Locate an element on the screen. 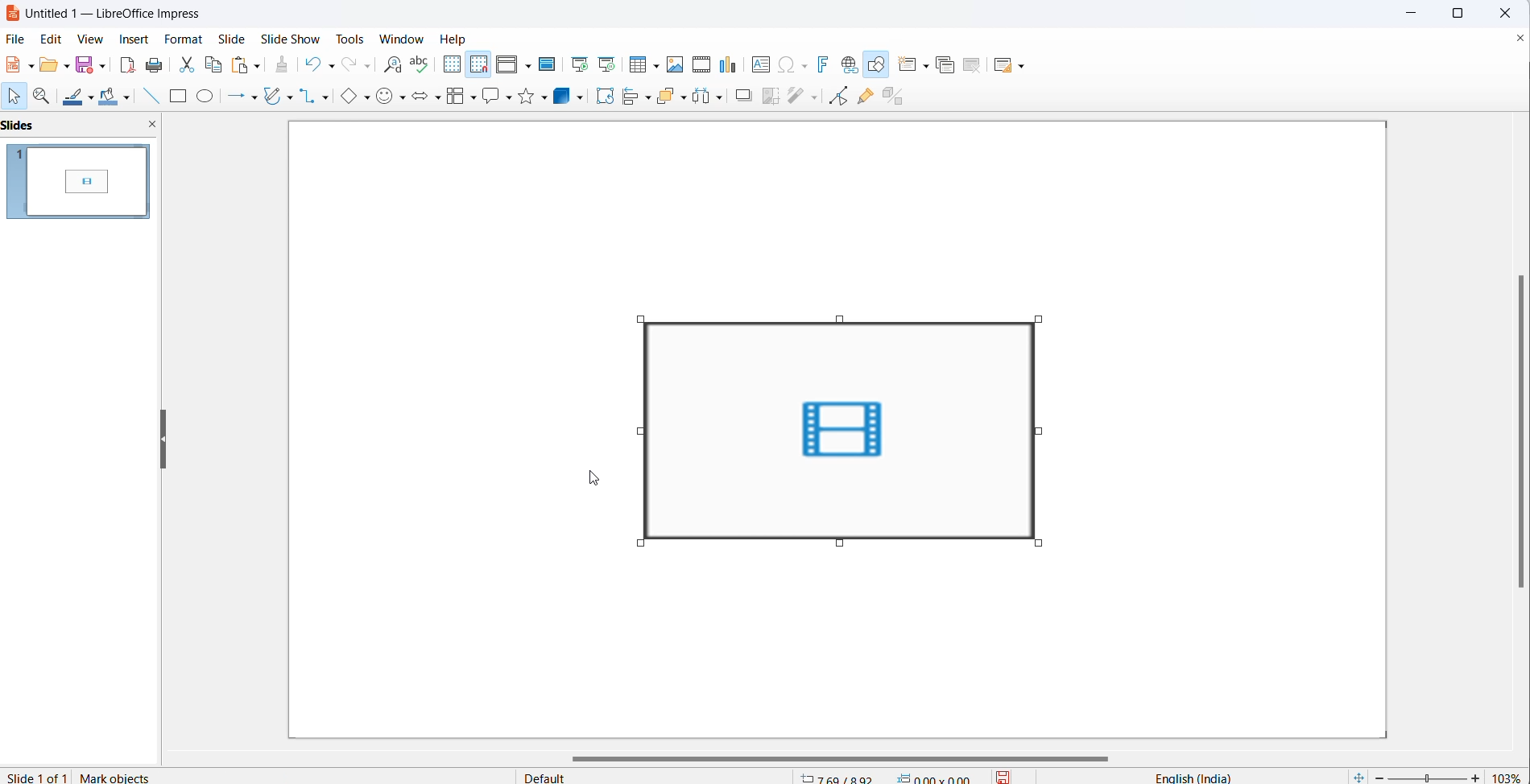 Image resolution: width=1530 pixels, height=784 pixels. ellipse is located at coordinates (207, 97).